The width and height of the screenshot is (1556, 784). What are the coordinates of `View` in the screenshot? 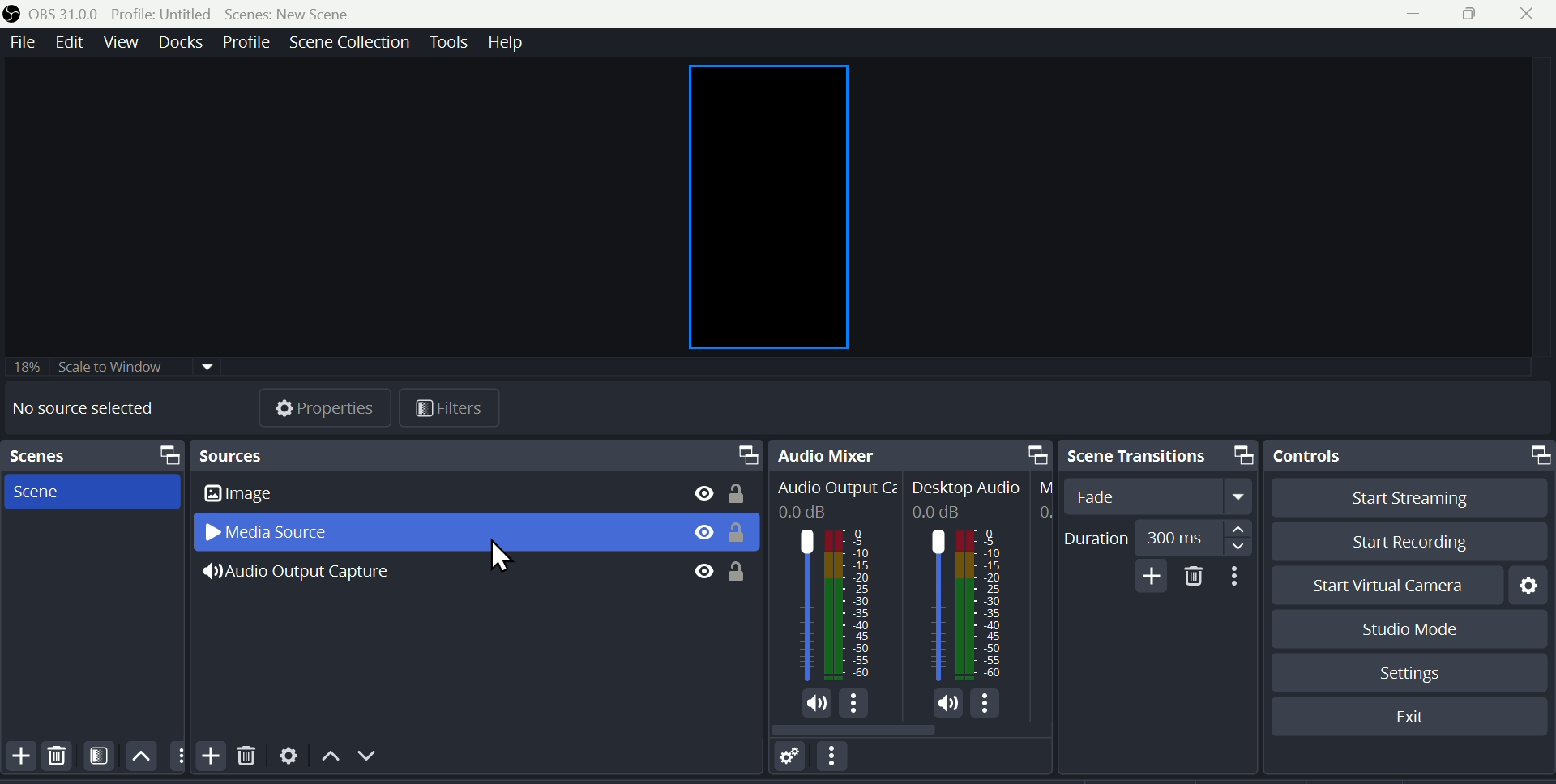 It's located at (121, 41).